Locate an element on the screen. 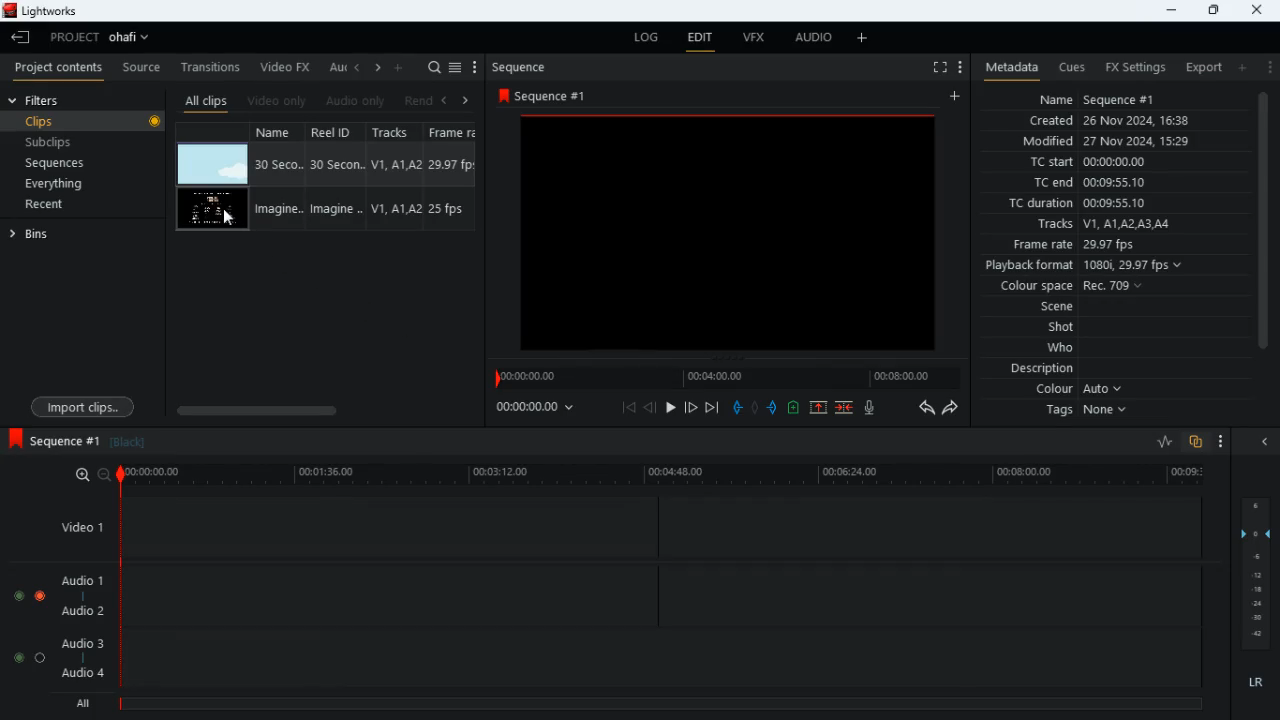 This screenshot has height=720, width=1280. overlap is located at coordinates (1197, 443).